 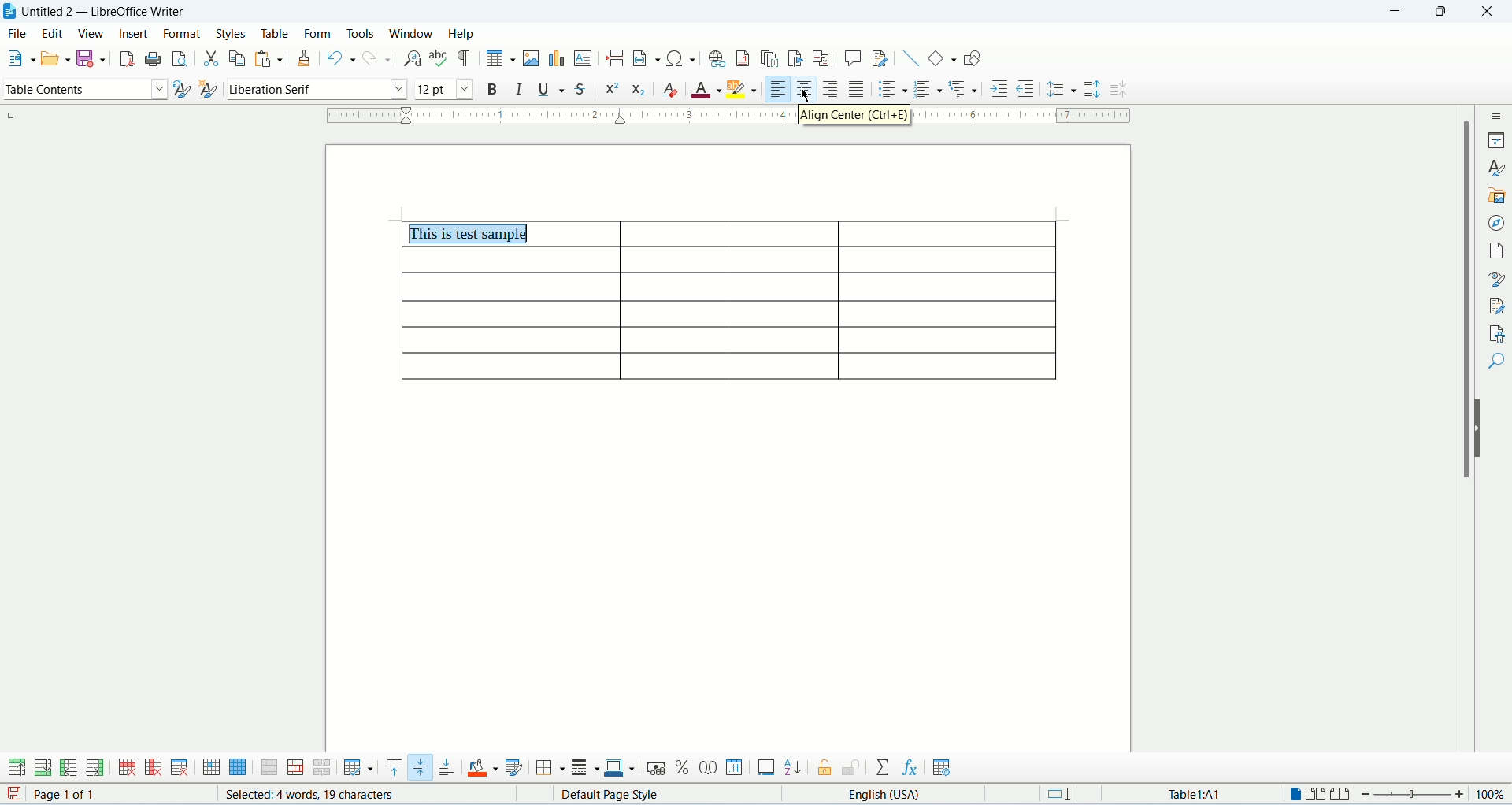 What do you see at coordinates (9, 11) in the screenshot?
I see `appliction icon` at bounding box center [9, 11].